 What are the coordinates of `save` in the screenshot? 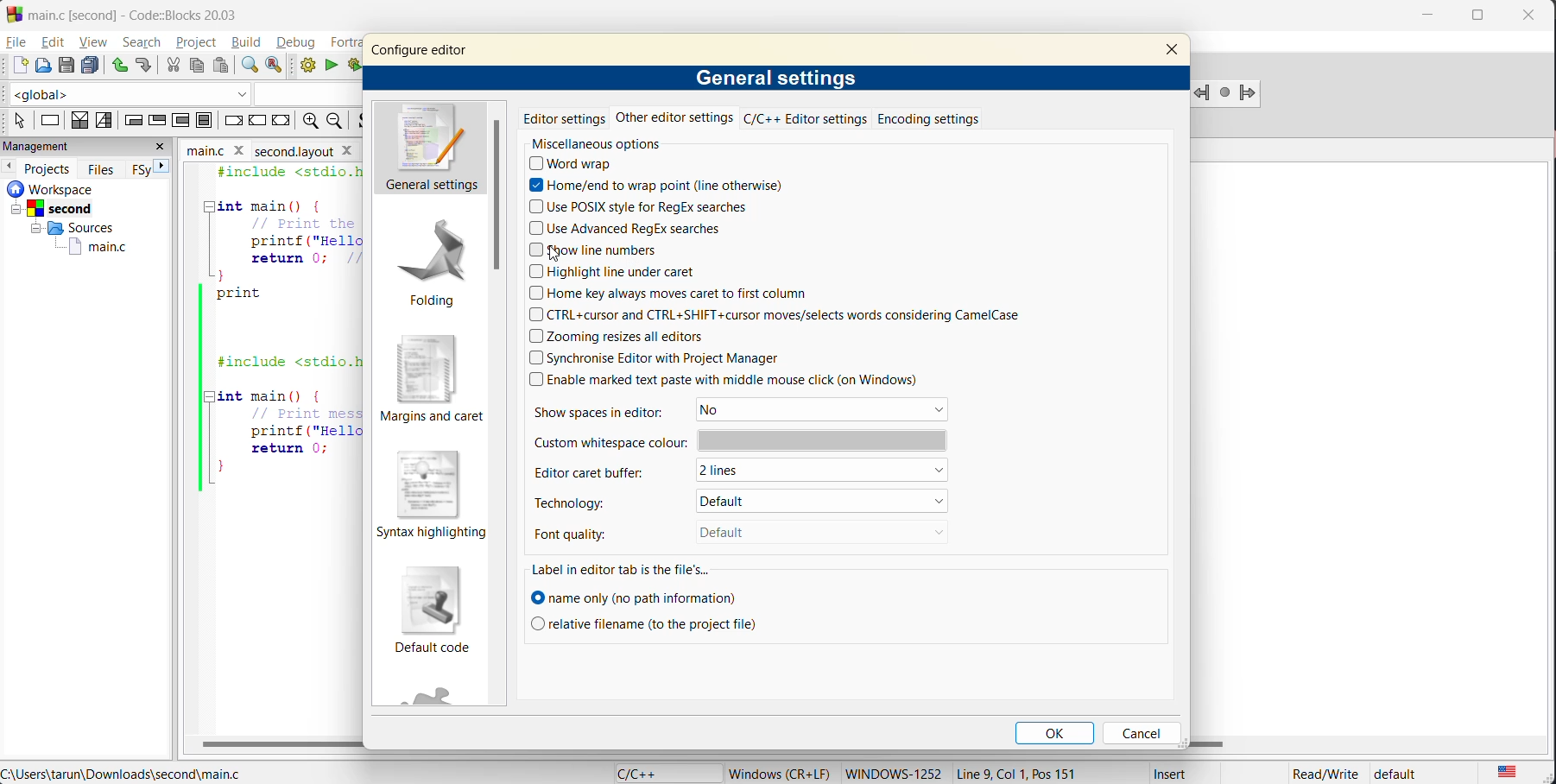 It's located at (66, 66).